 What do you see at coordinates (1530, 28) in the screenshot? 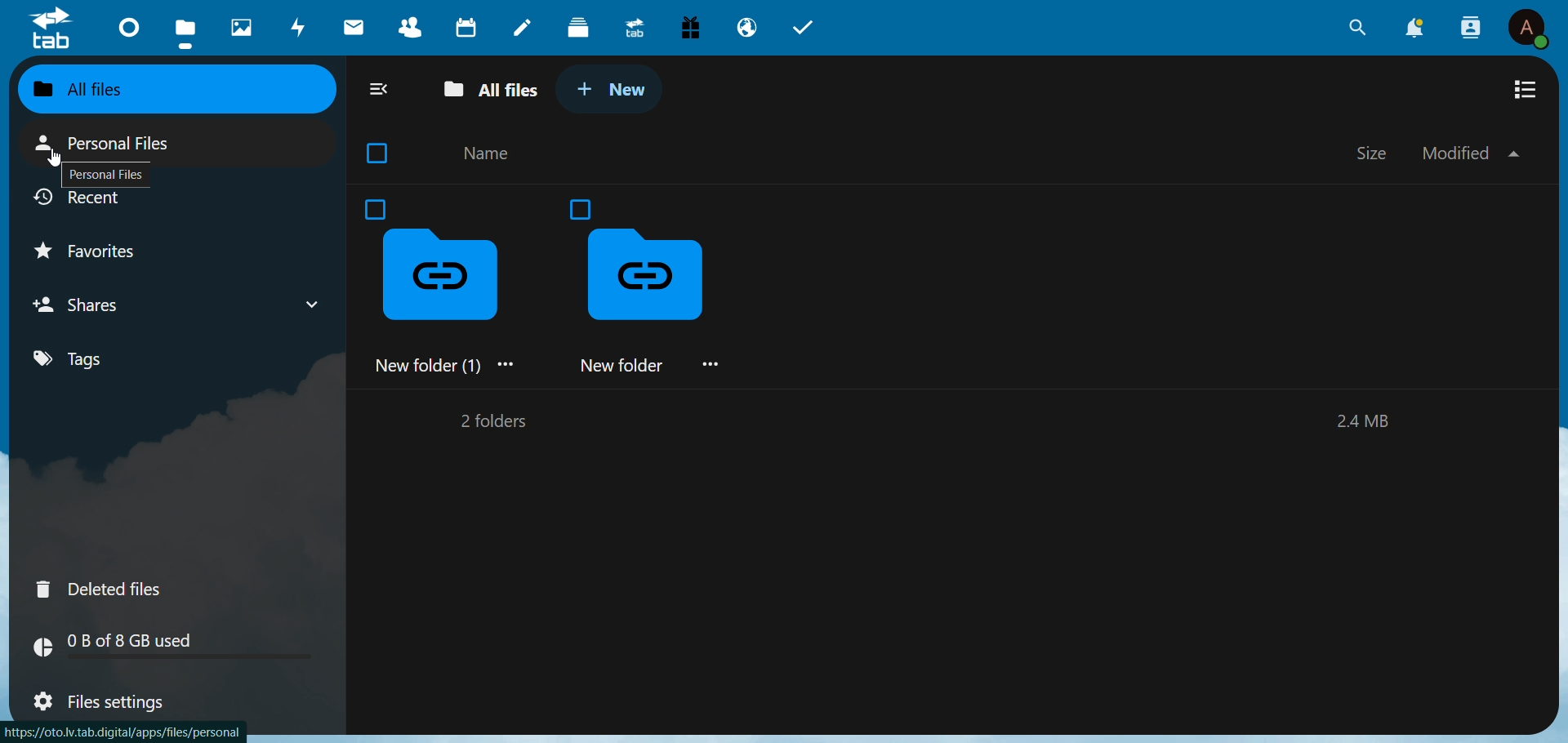
I see `user` at bounding box center [1530, 28].